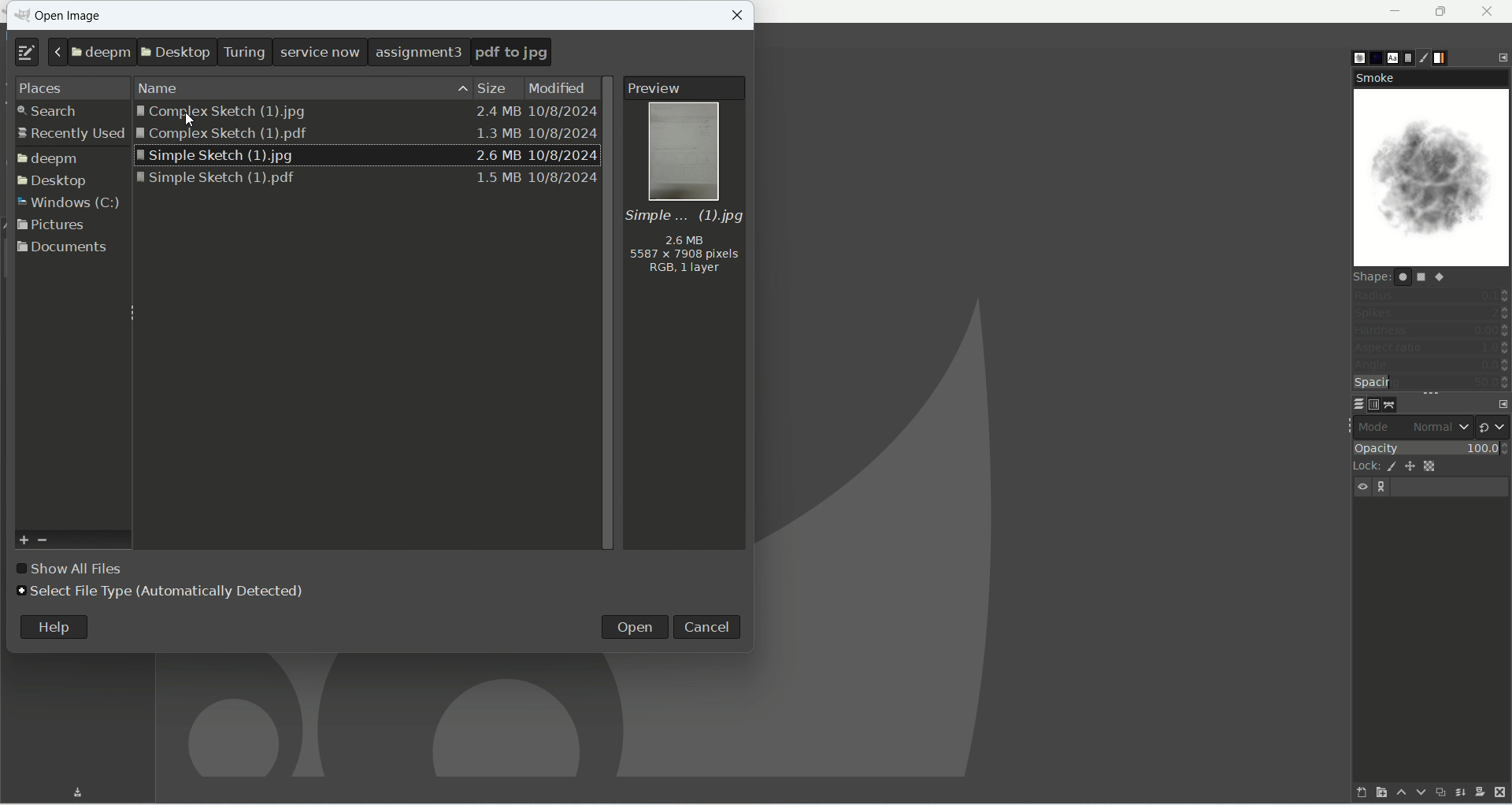 The width and height of the screenshot is (1512, 805). What do you see at coordinates (1377, 427) in the screenshot?
I see `mode` at bounding box center [1377, 427].